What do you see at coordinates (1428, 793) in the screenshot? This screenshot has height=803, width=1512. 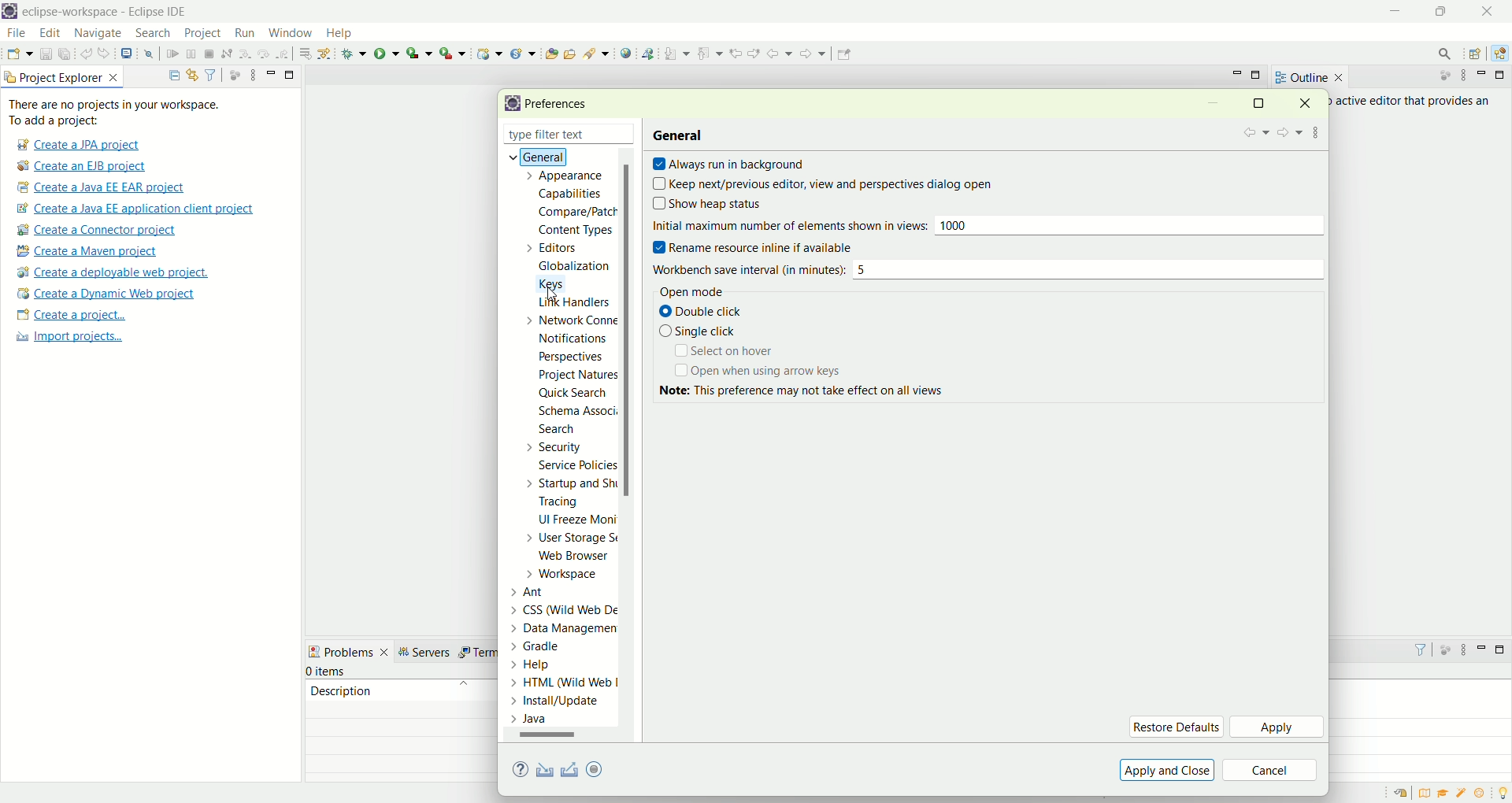 I see `overview` at bounding box center [1428, 793].